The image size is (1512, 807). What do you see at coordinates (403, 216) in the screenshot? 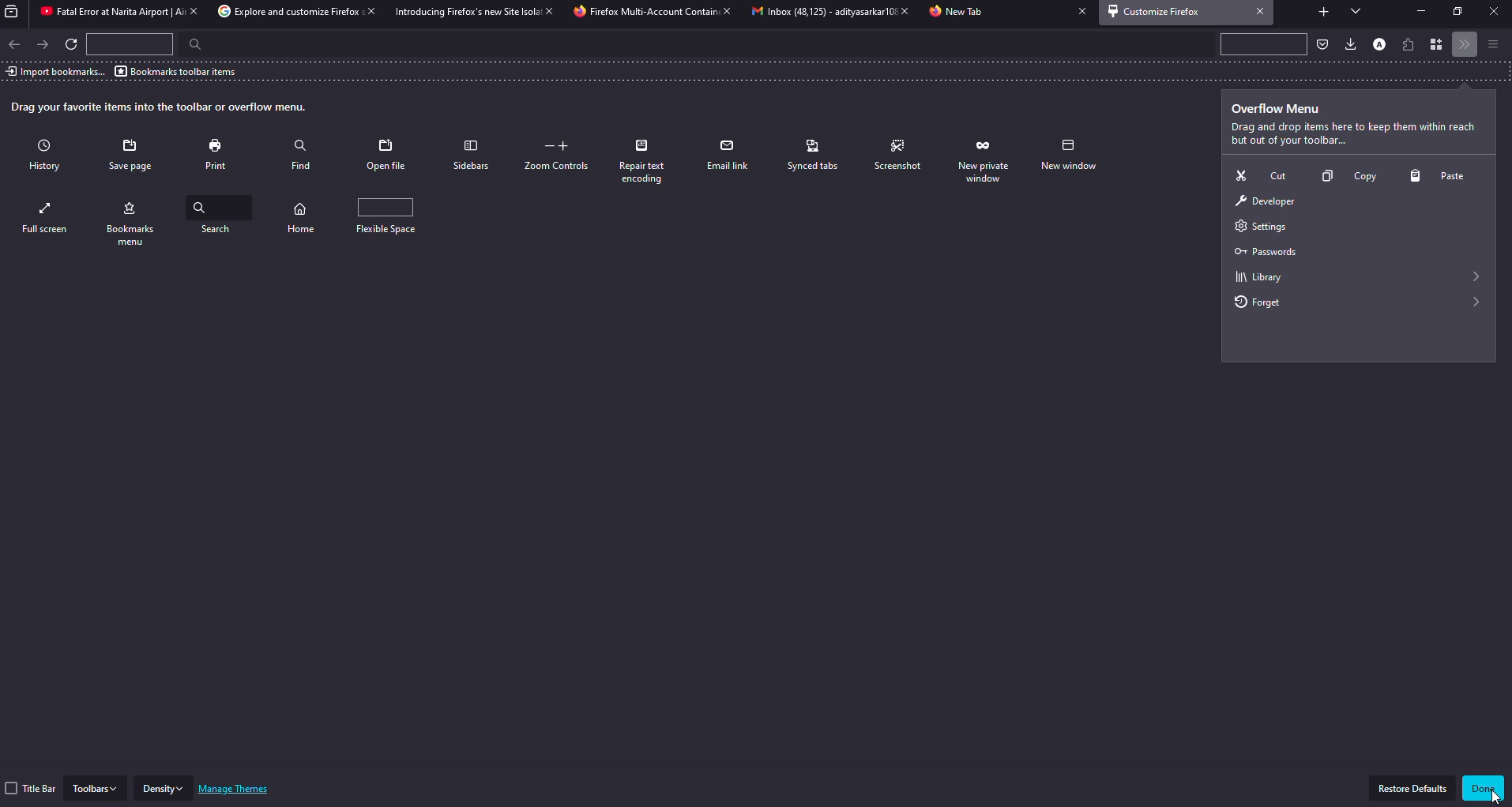
I see `flexible` at bounding box center [403, 216].